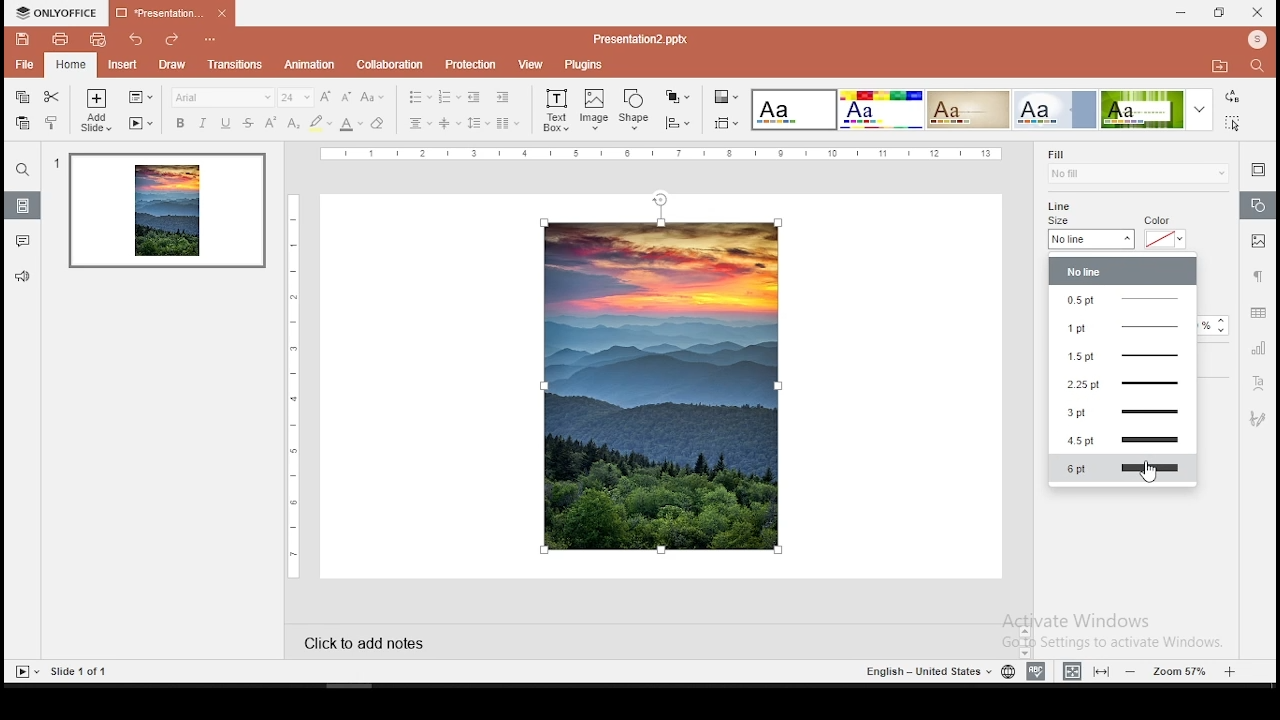 This screenshot has width=1280, height=720. Describe the element at coordinates (1124, 440) in the screenshot. I see `4.5pt` at that location.